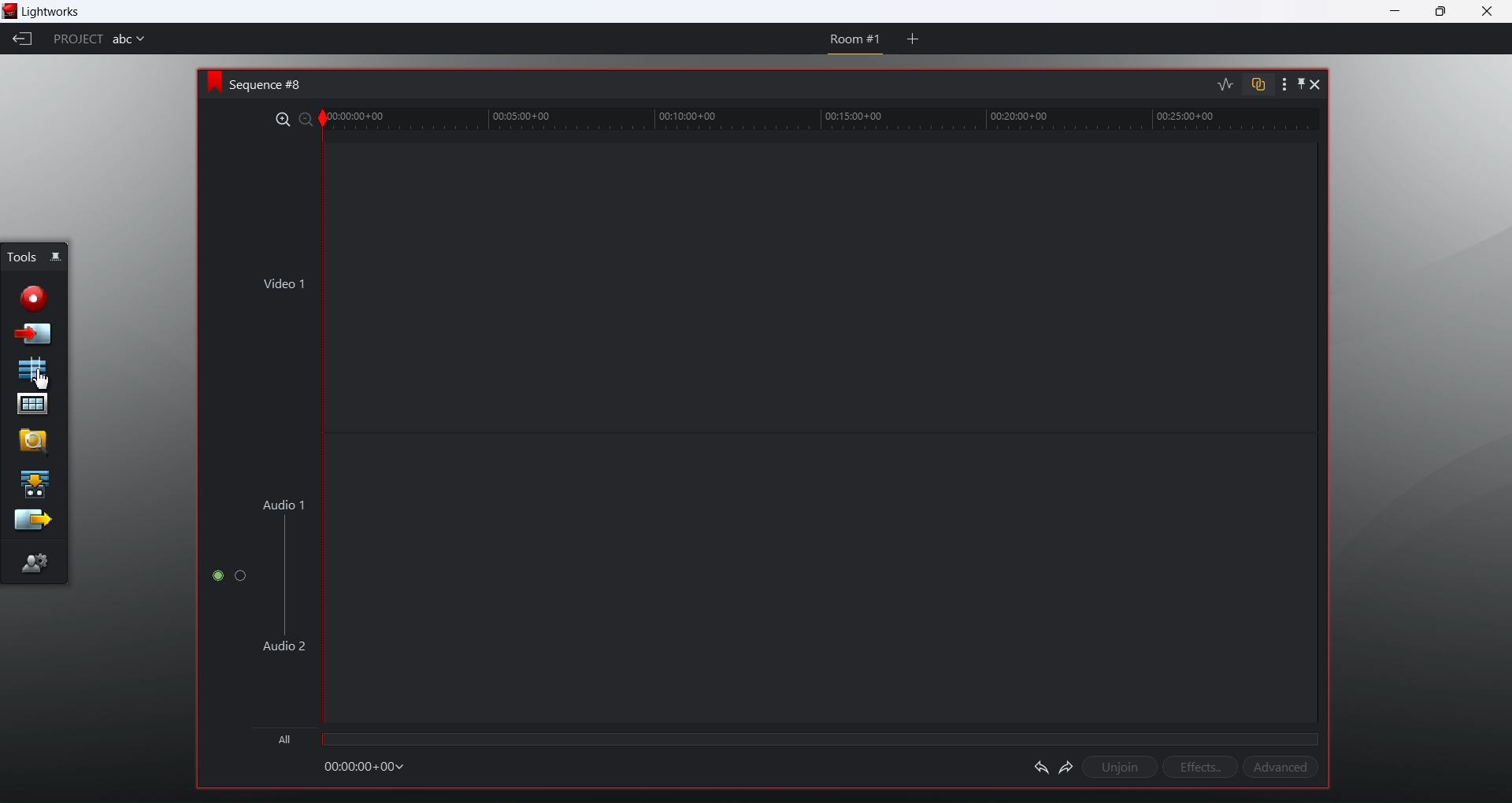  What do you see at coordinates (282, 647) in the screenshot?
I see `audio 2` at bounding box center [282, 647].